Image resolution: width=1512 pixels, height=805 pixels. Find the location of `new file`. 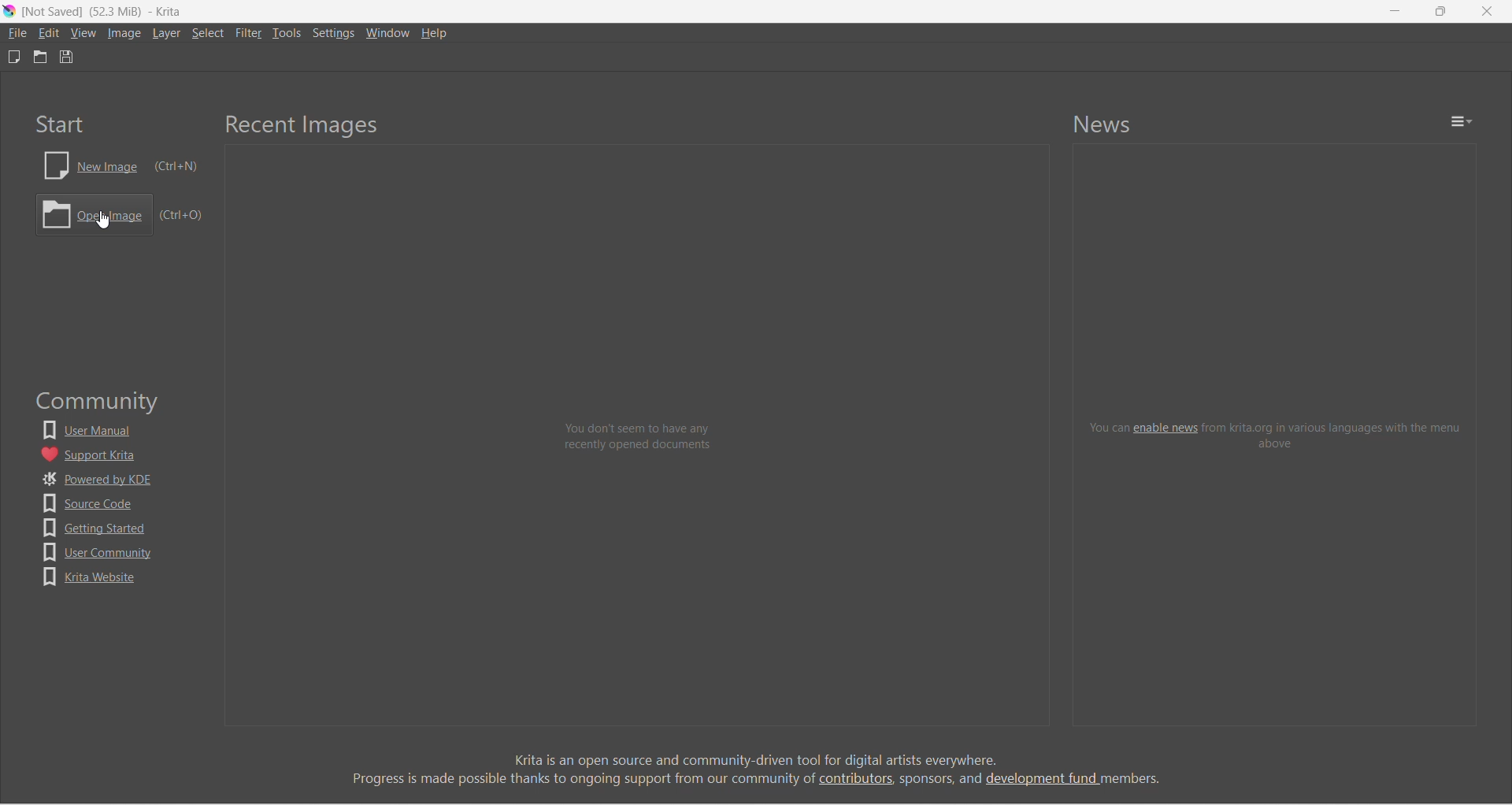

new file is located at coordinates (13, 57).